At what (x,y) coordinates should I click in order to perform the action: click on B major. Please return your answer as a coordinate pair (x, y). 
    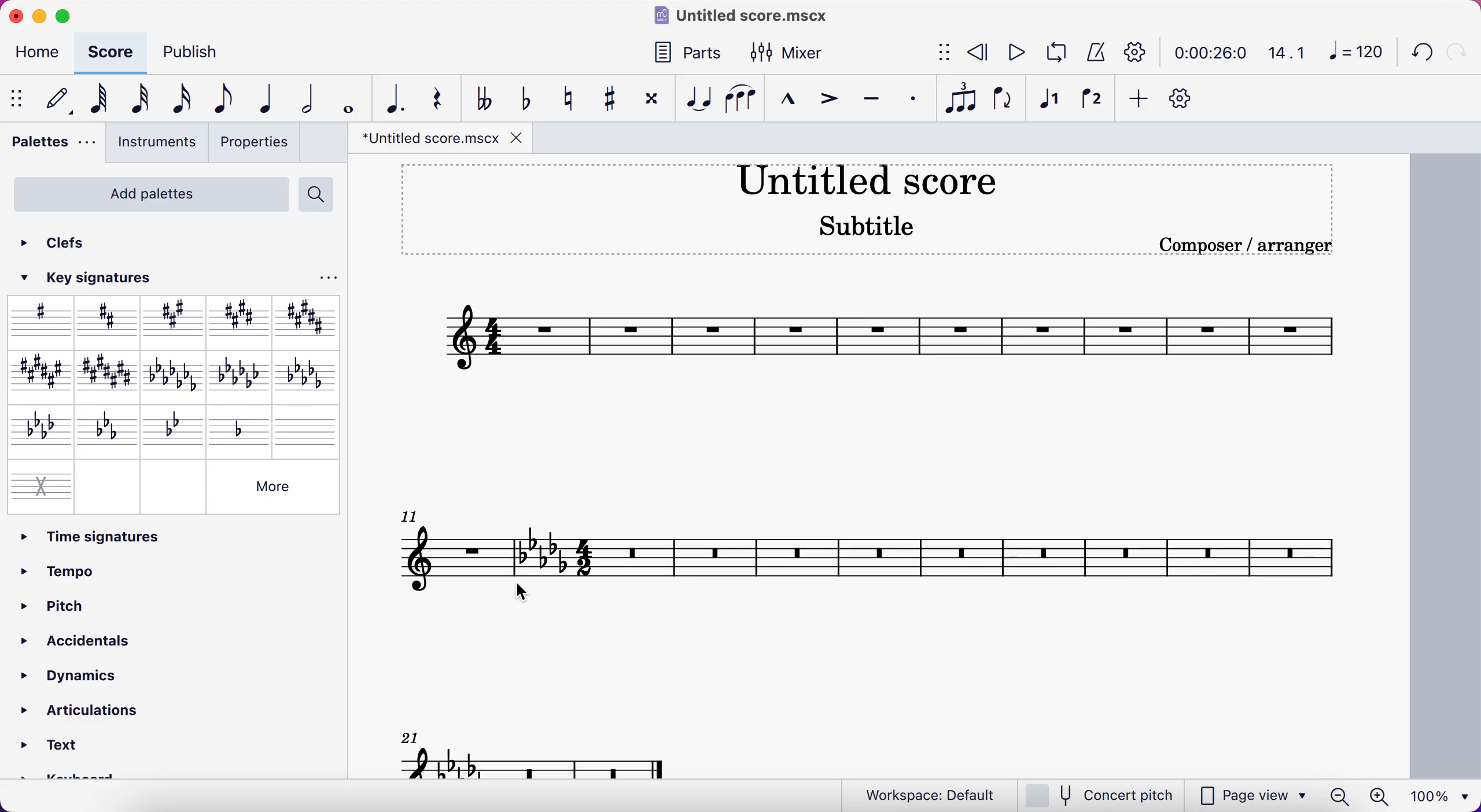
    Looking at the image, I should click on (303, 317).